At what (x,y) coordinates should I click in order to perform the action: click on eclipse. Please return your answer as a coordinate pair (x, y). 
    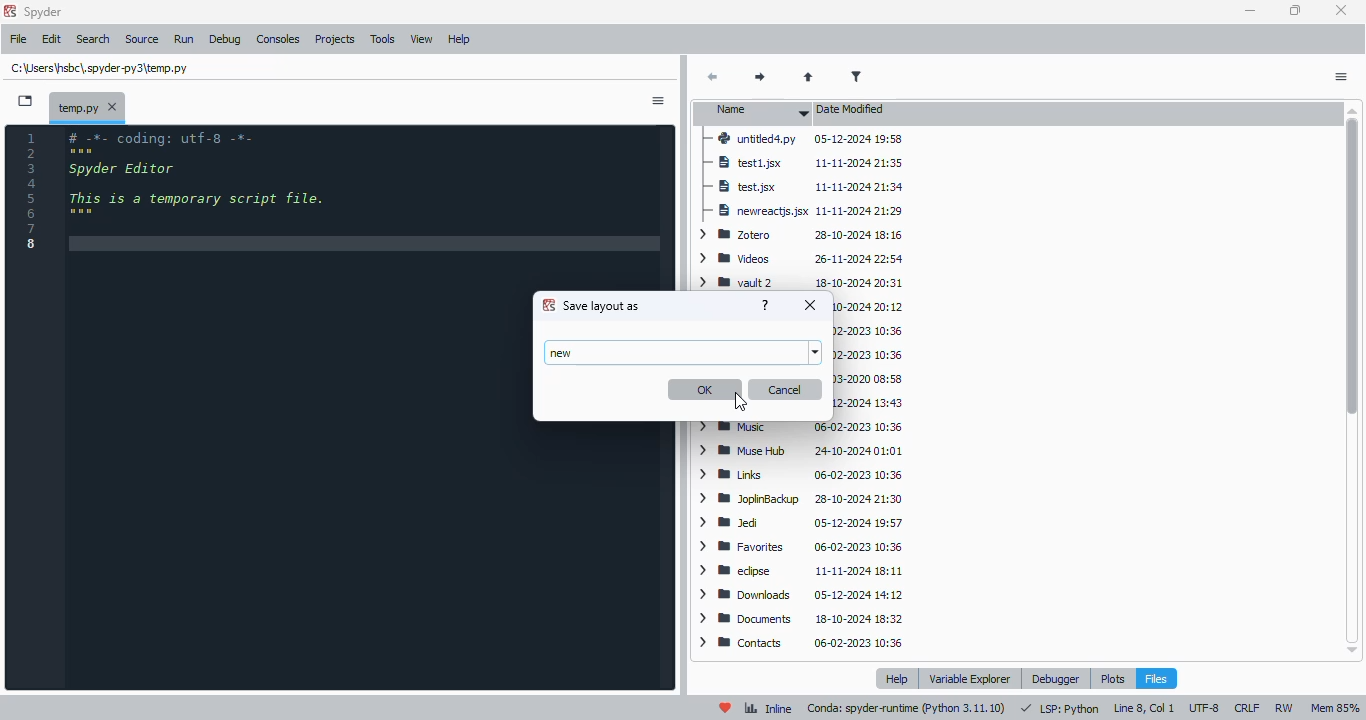
    Looking at the image, I should click on (799, 571).